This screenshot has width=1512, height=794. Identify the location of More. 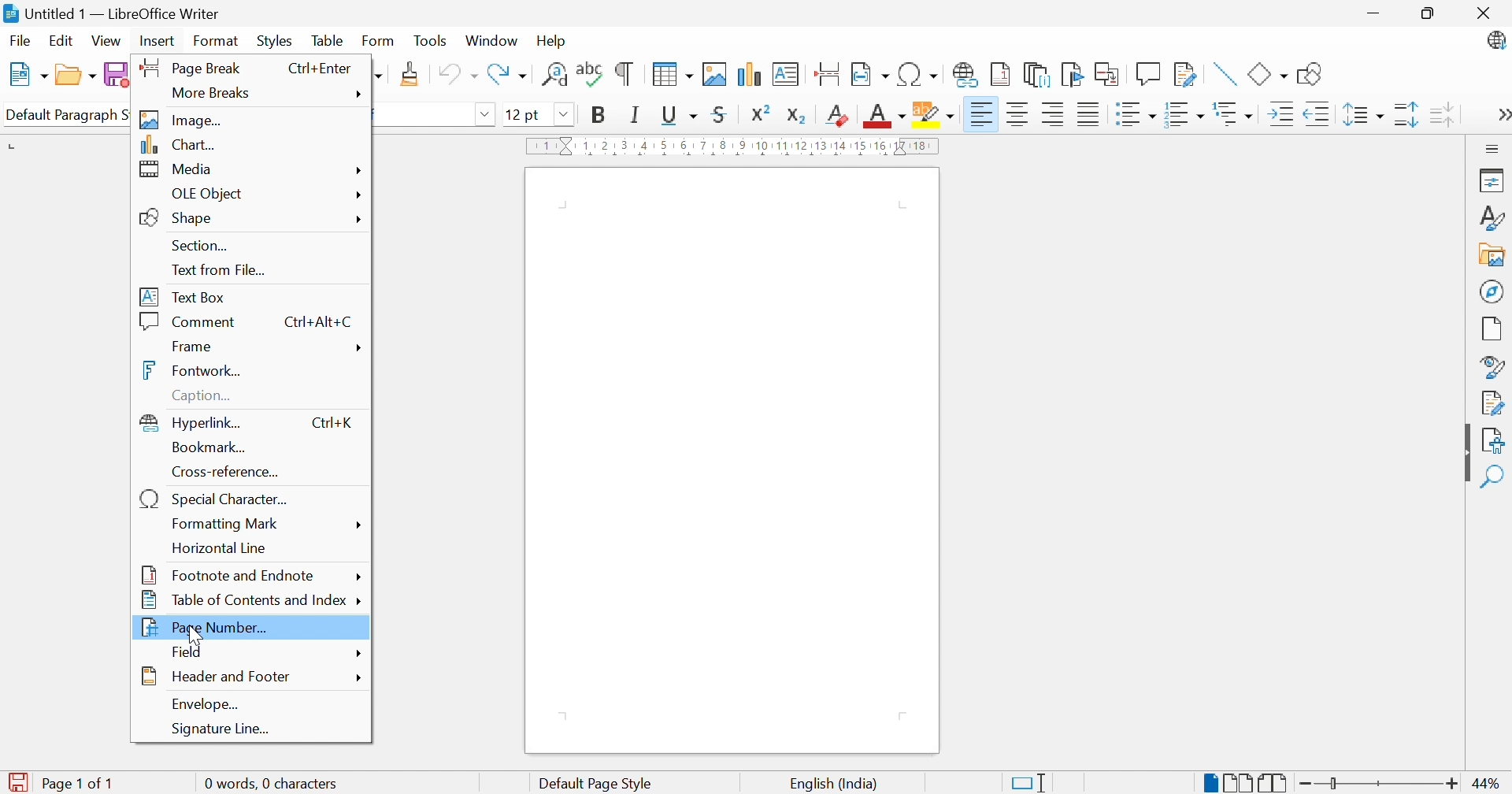
(362, 654).